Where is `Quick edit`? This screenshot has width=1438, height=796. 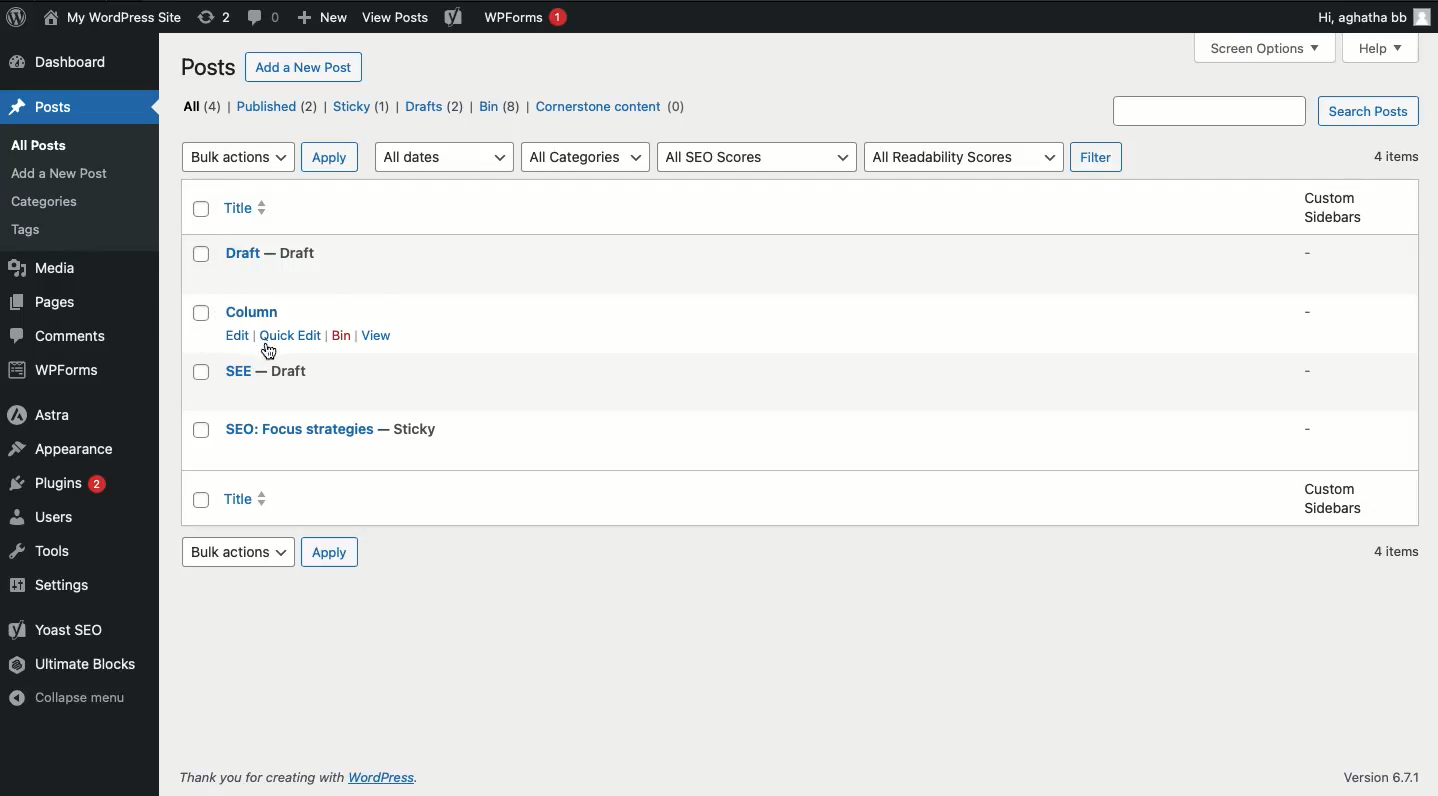
Quick edit is located at coordinates (293, 336).